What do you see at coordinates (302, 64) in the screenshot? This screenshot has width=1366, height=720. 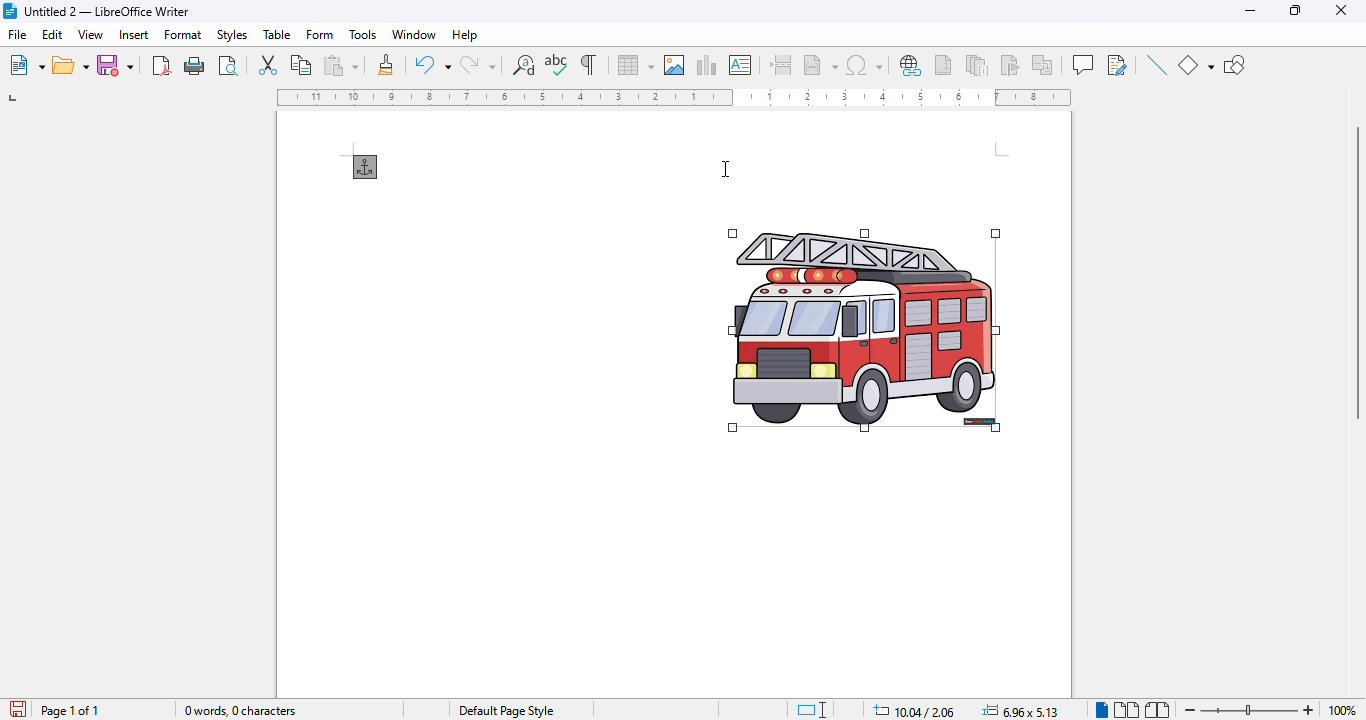 I see `copy` at bounding box center [302, 64].